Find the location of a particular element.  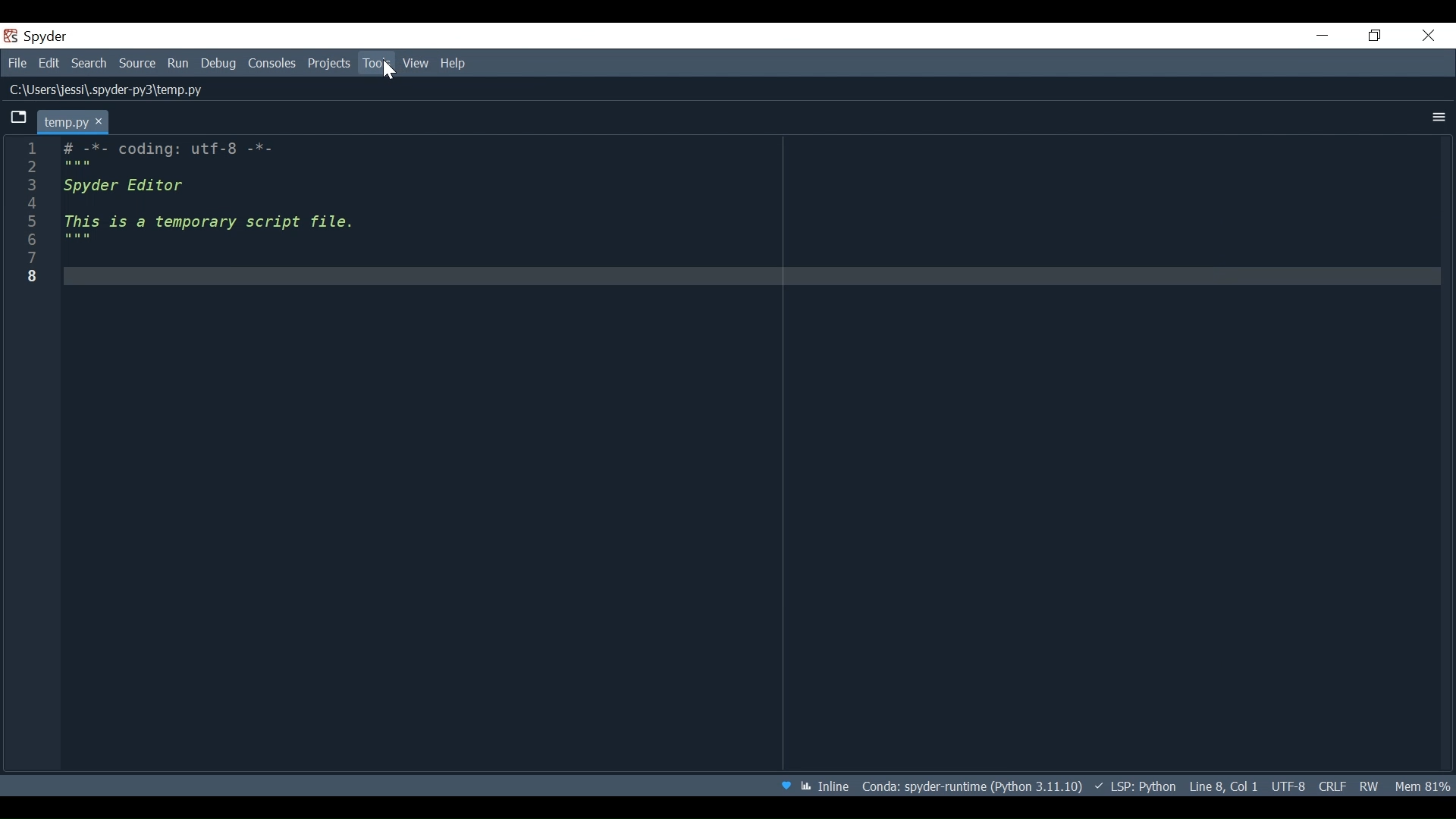

Edit is located at coordinates (51, 64).